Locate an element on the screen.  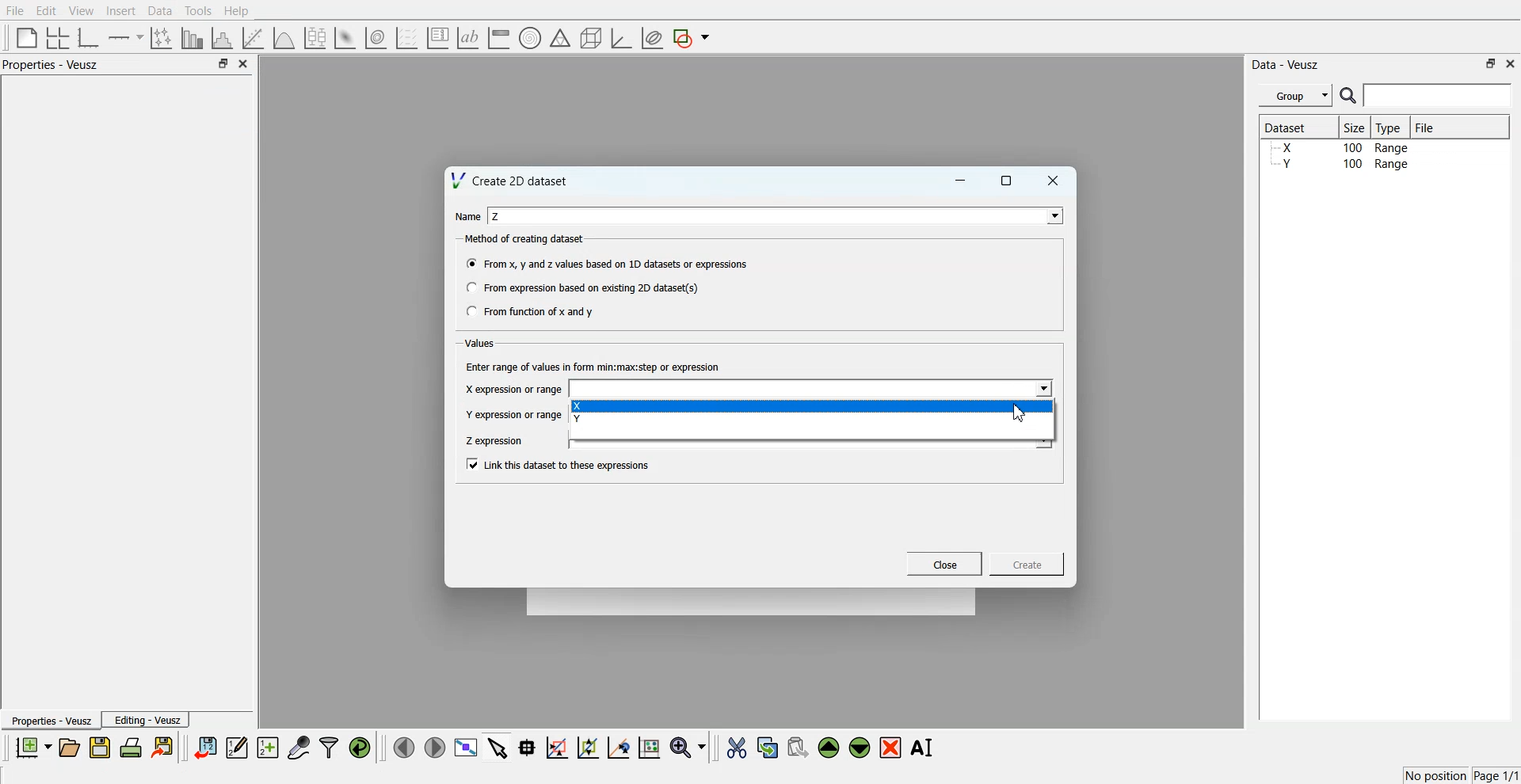
Enter name is located at coordinates (813, 390).